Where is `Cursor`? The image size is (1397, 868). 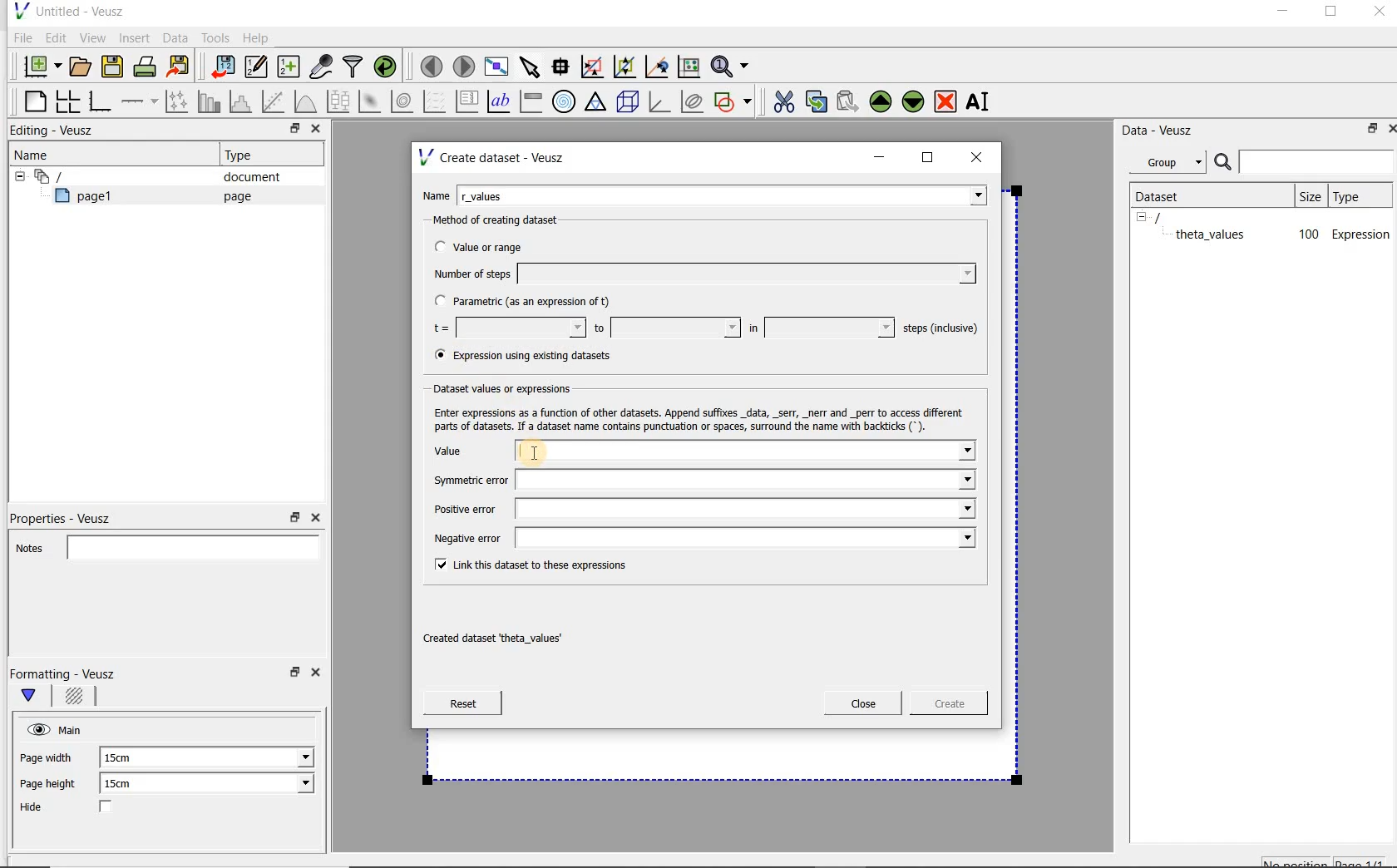 Cursor is located at coordinates (555, 449).